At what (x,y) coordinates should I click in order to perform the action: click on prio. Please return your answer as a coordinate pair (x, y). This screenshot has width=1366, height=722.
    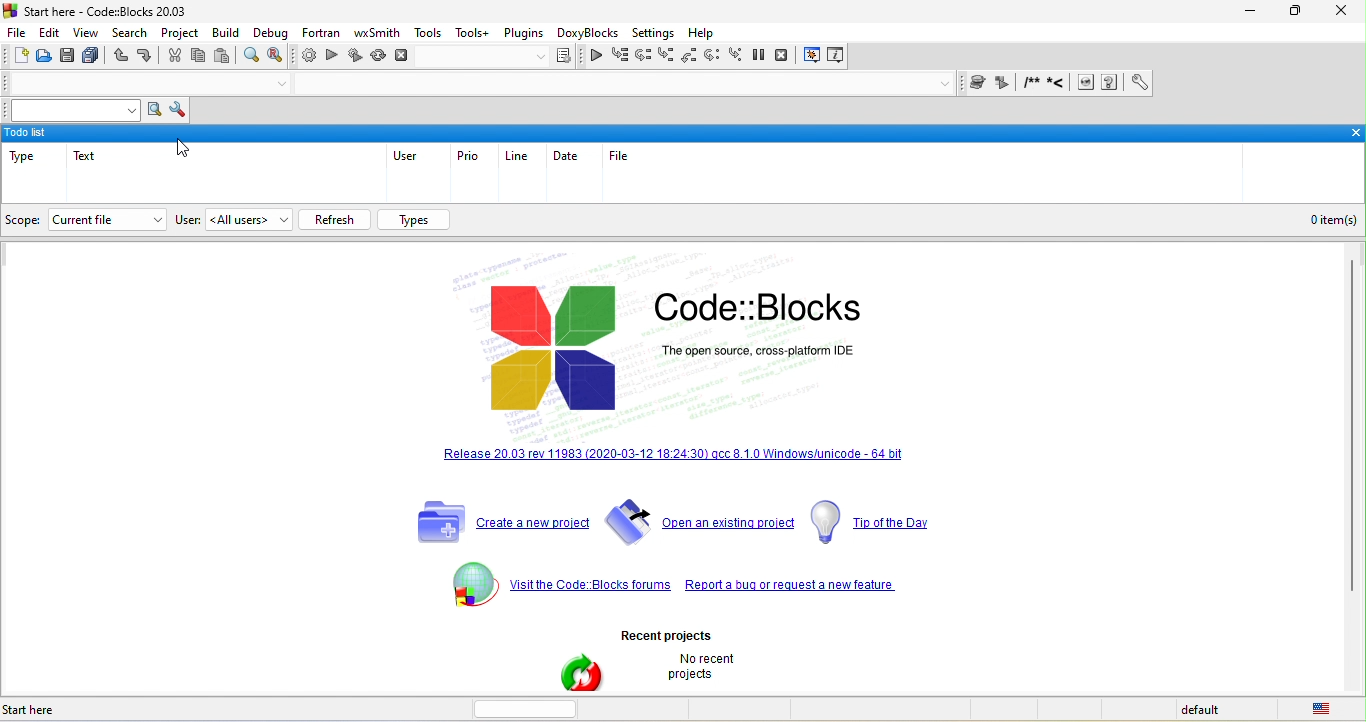
    Looking at the image, I should click on (468, 156).